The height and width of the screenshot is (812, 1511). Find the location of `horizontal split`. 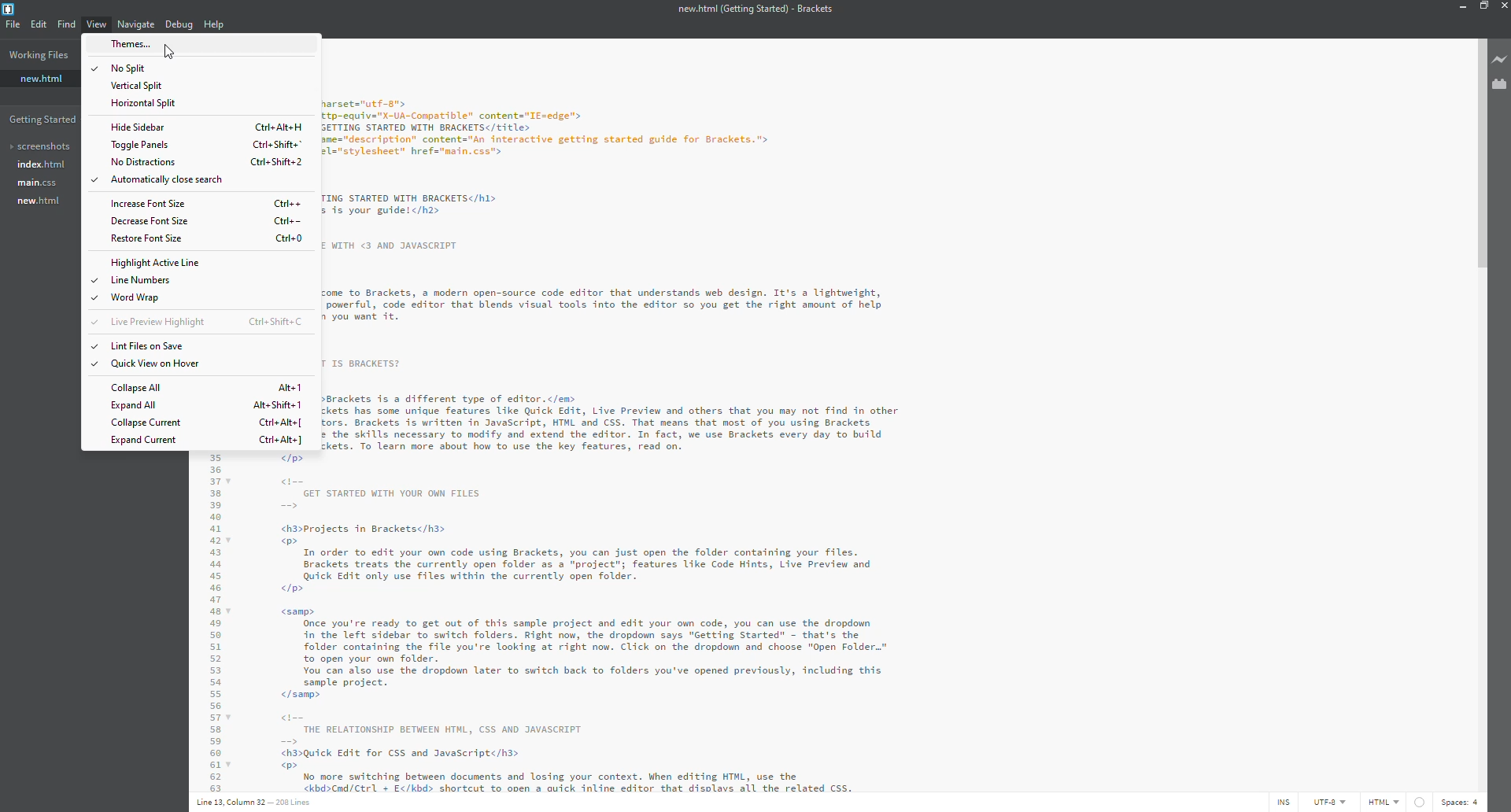

horizontal split is located at coordinates (142, 103).